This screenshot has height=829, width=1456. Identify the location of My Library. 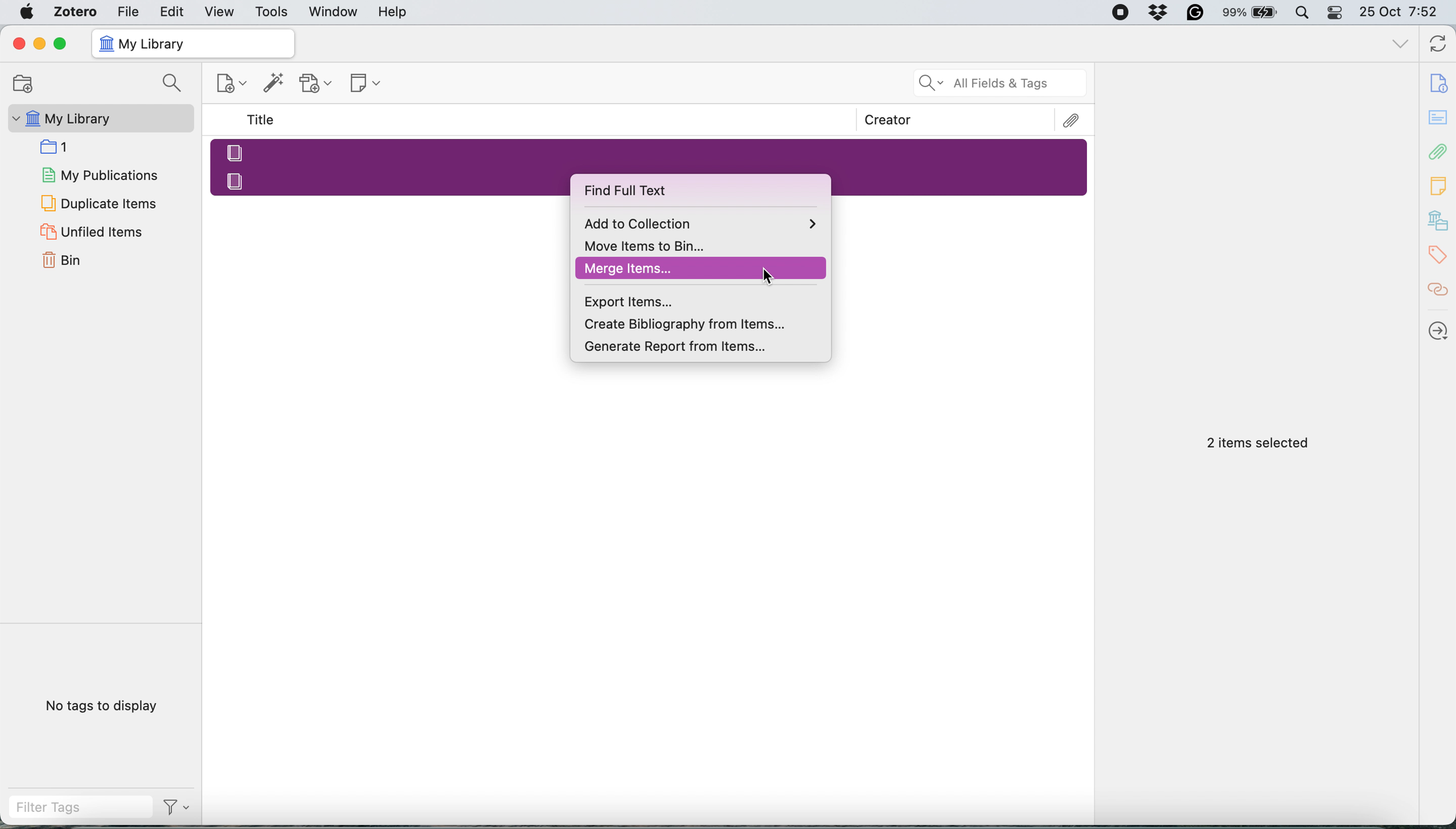
(99, 118).